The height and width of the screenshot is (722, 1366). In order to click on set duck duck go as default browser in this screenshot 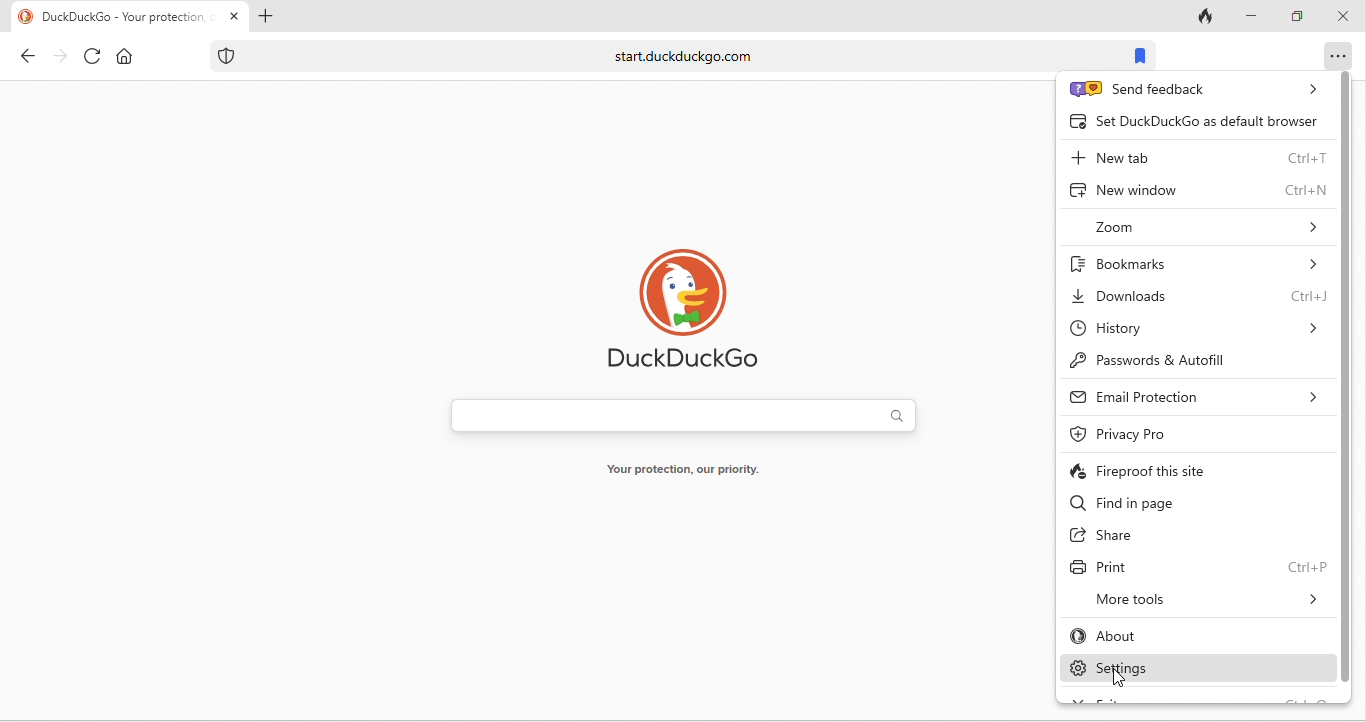, I will do `click(1191, 121)`.